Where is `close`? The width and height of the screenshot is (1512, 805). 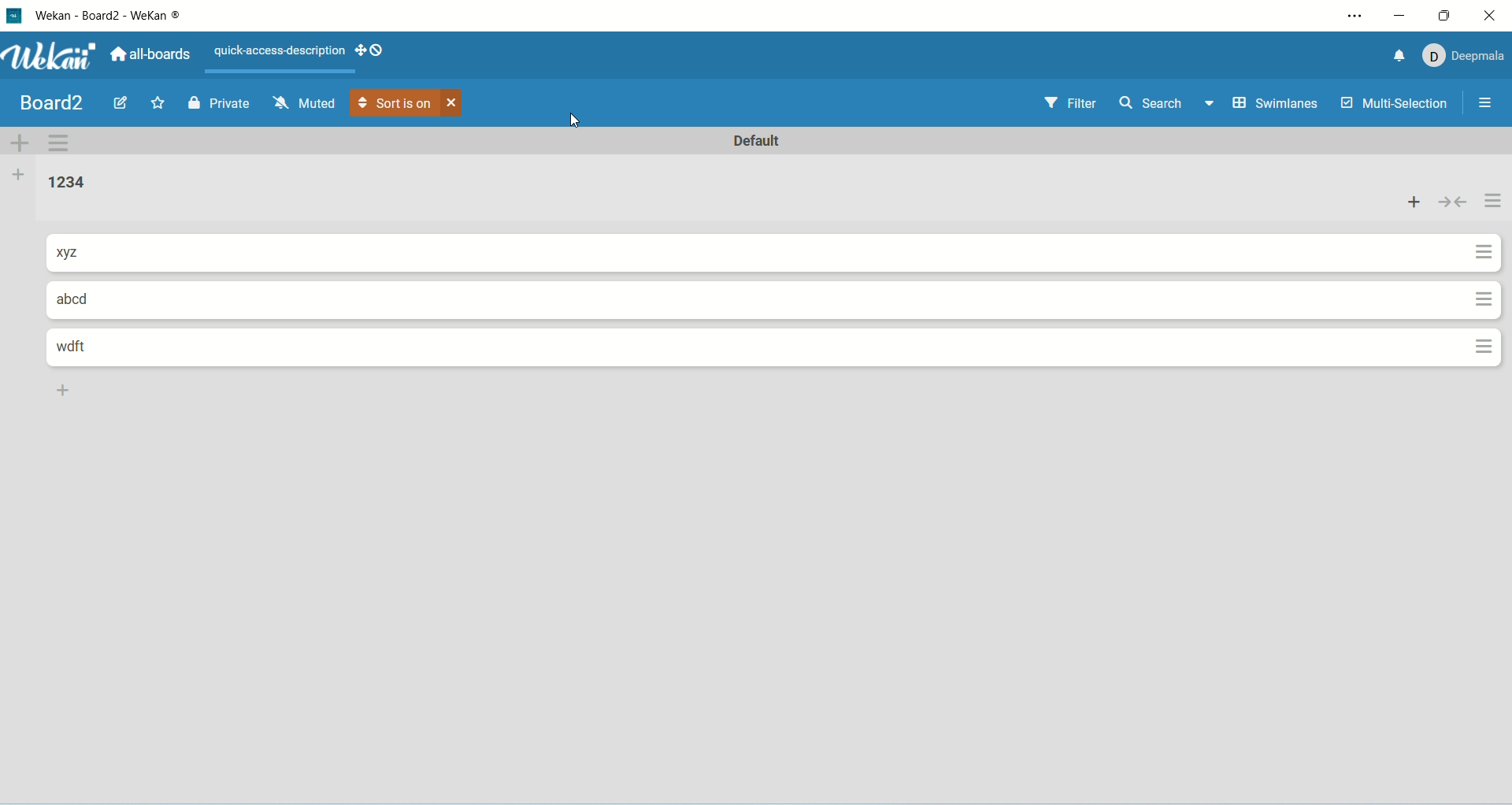 close is located at coordinates (1490, 13).